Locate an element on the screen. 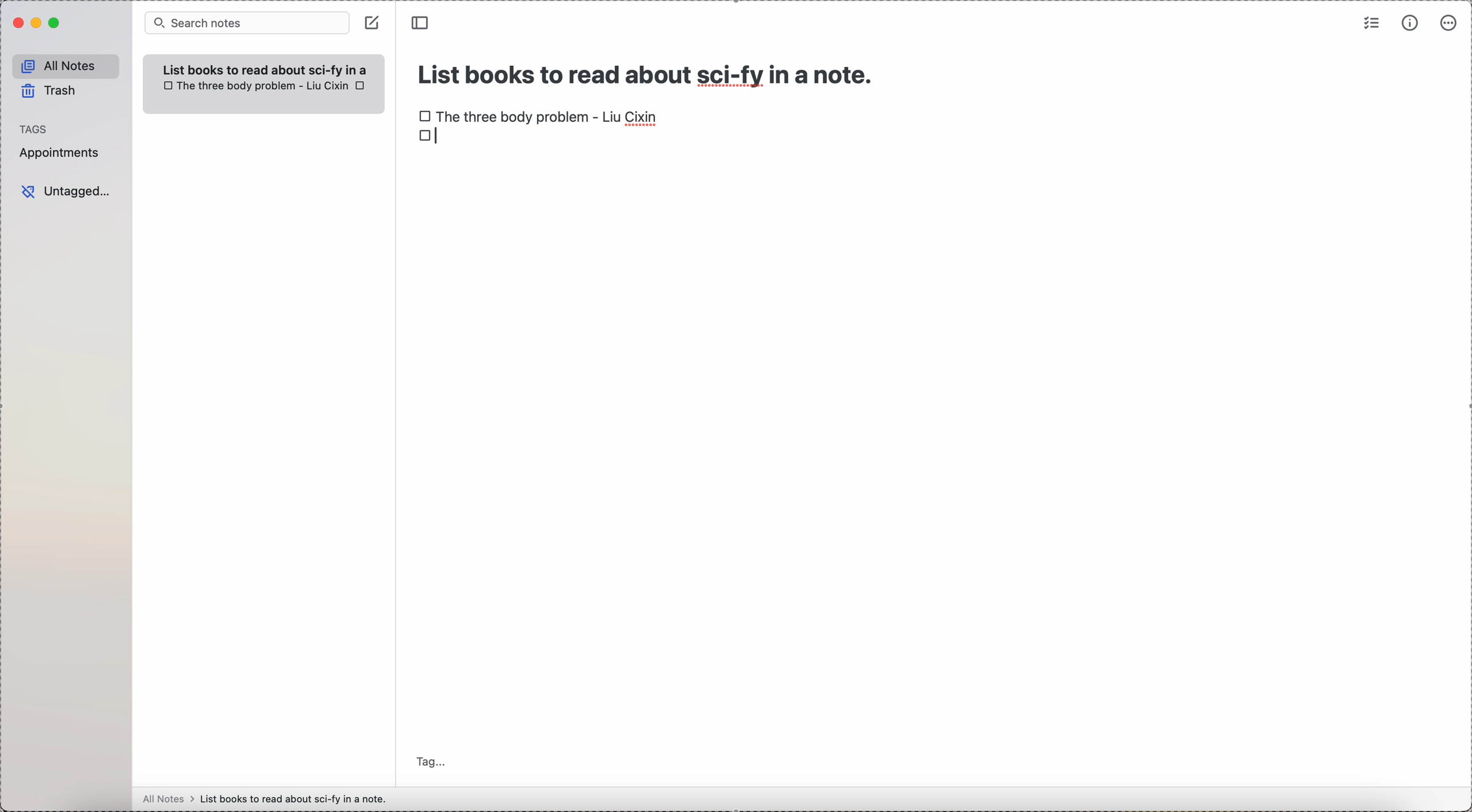  appointments tag is located at coordinates (60, 154).